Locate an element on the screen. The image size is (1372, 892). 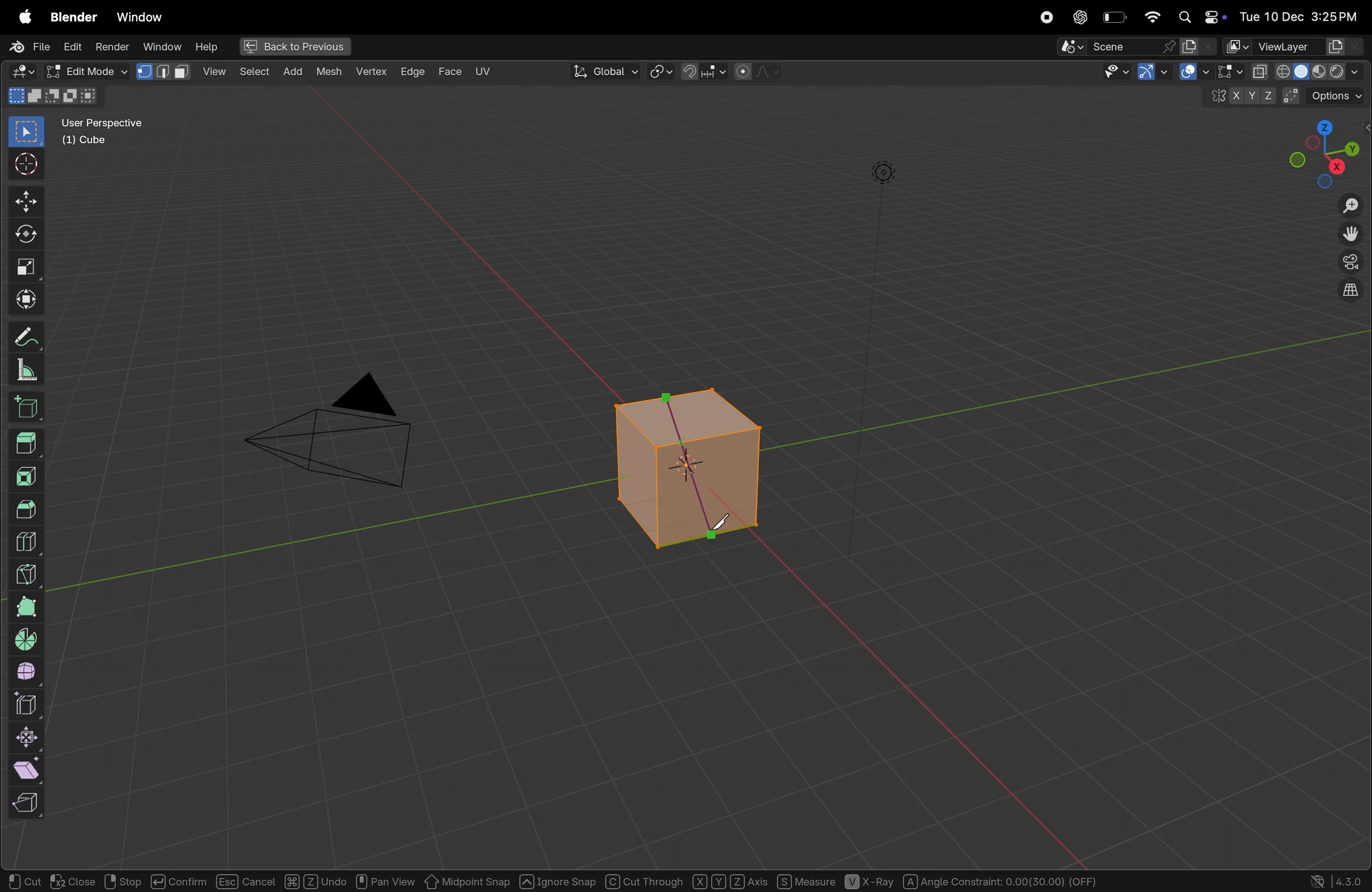
object mode is located at coordinates (84, 70).